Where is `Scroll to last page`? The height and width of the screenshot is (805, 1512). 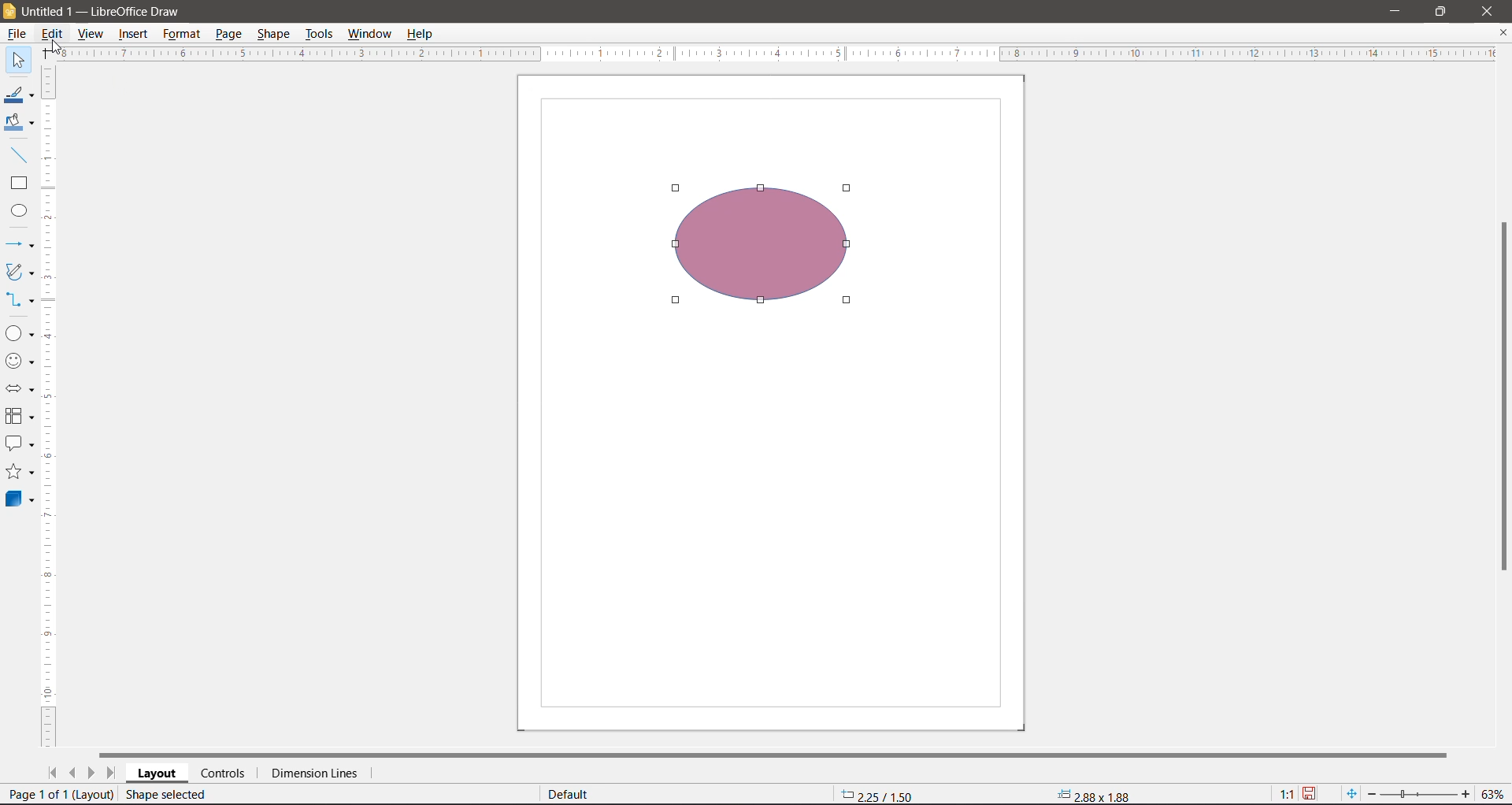
Scroll to last page is located at coordinates (111, 773).